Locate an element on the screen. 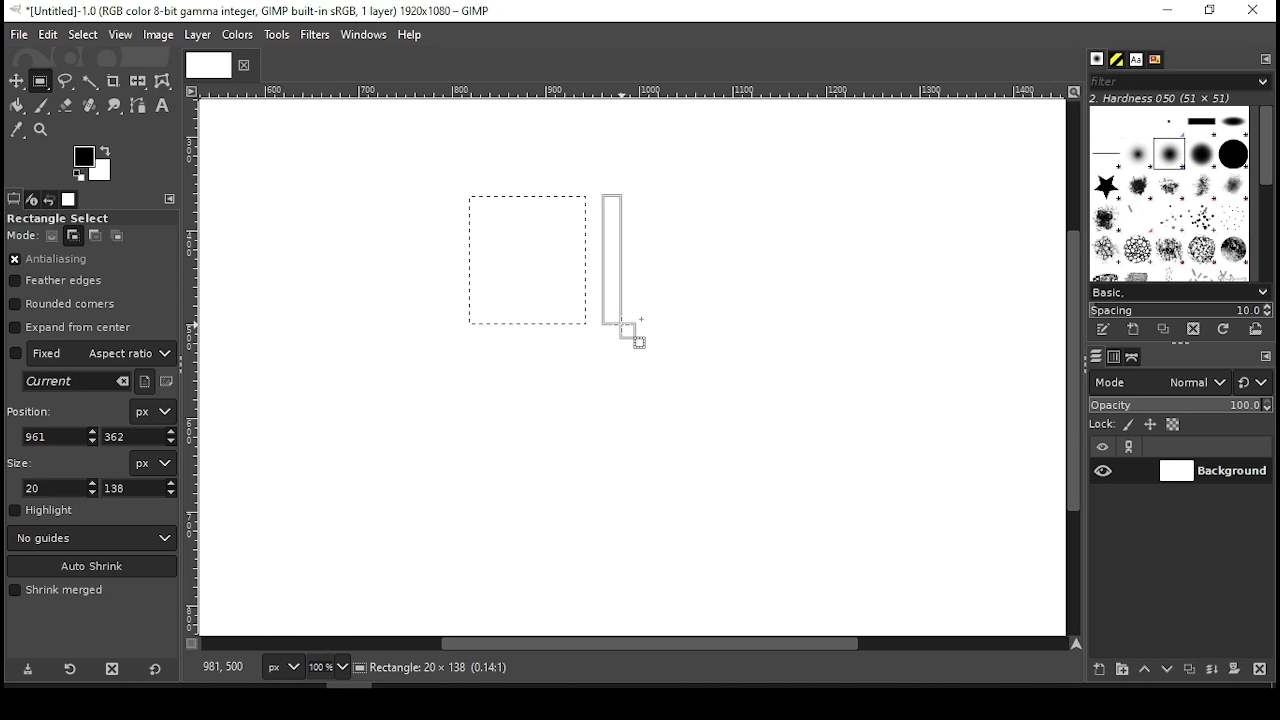  tools is located at coordinates (279, 36).